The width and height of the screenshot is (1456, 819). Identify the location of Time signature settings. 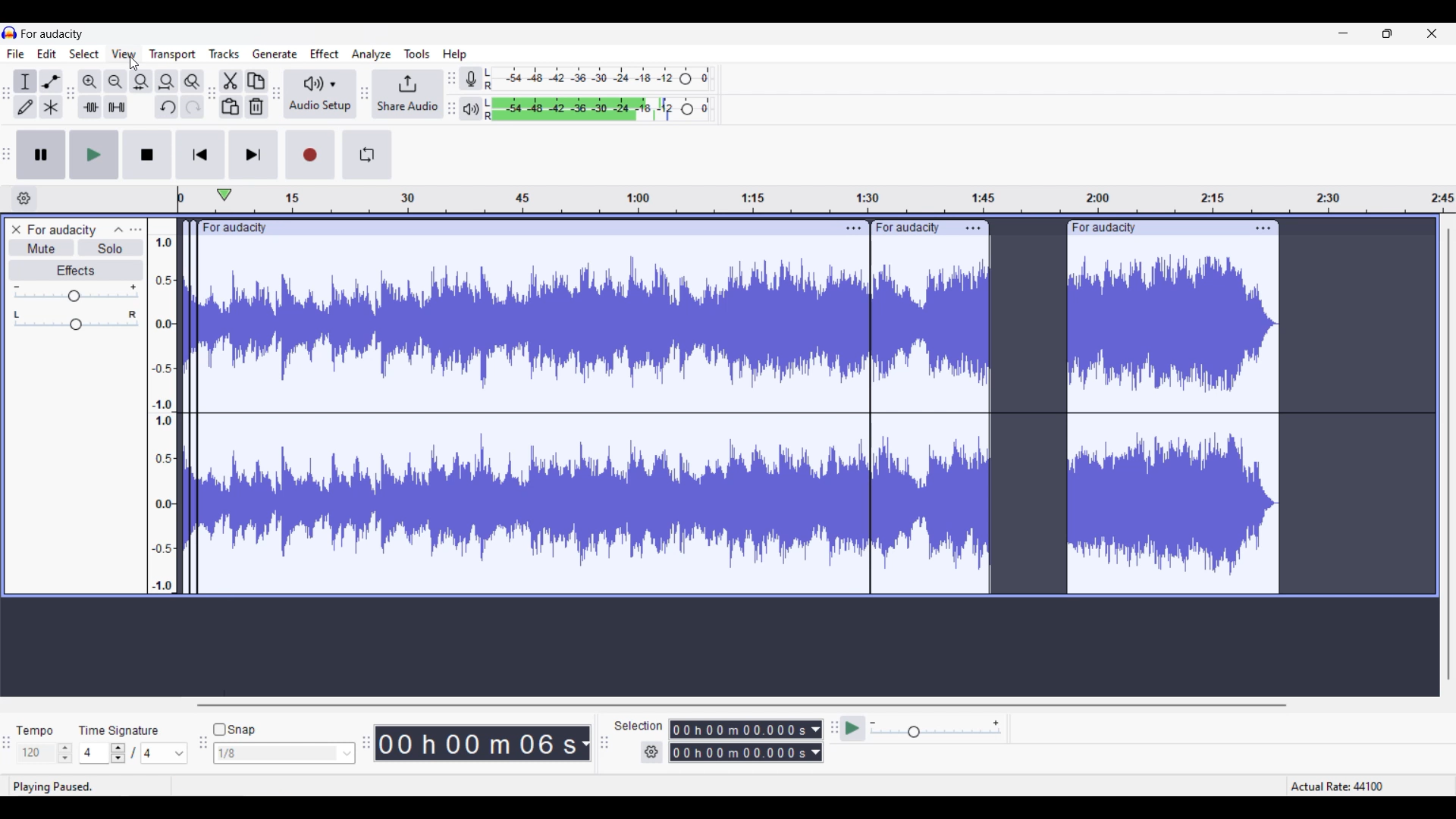
(134, 752).